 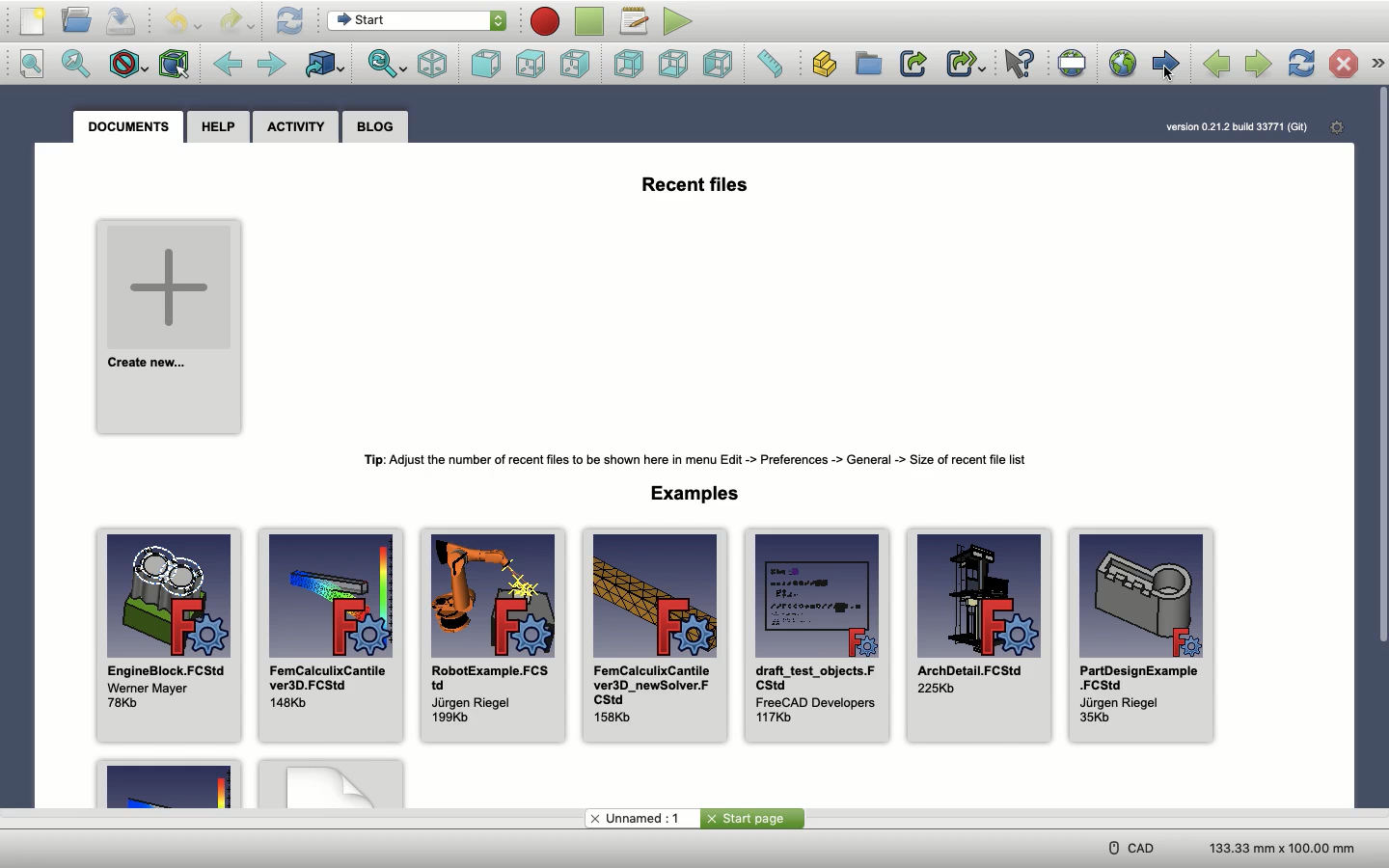 I want to click on Go to linked object, so click(x=323, y=64).